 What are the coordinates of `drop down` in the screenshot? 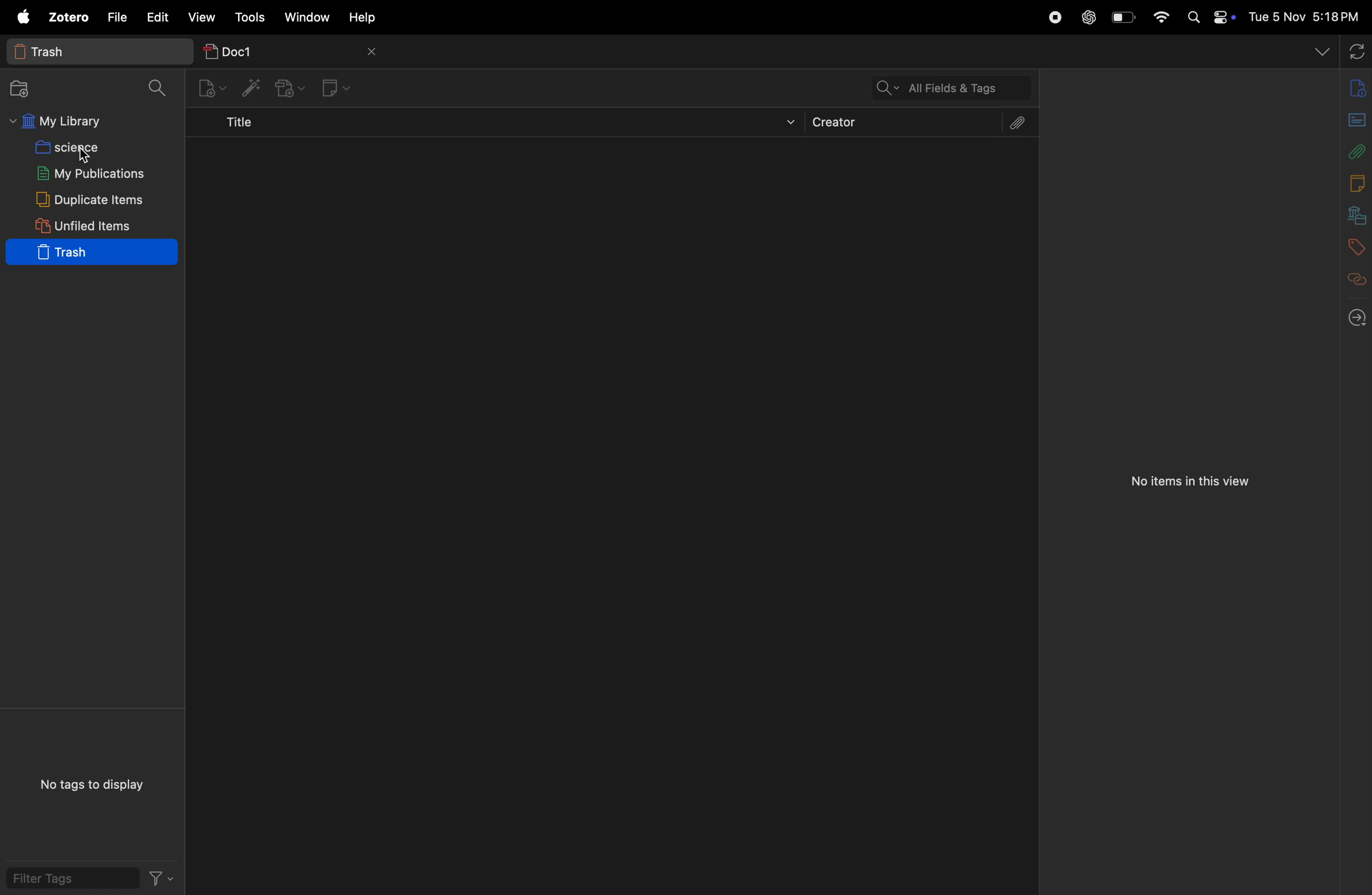 It's located at (1321, 50).